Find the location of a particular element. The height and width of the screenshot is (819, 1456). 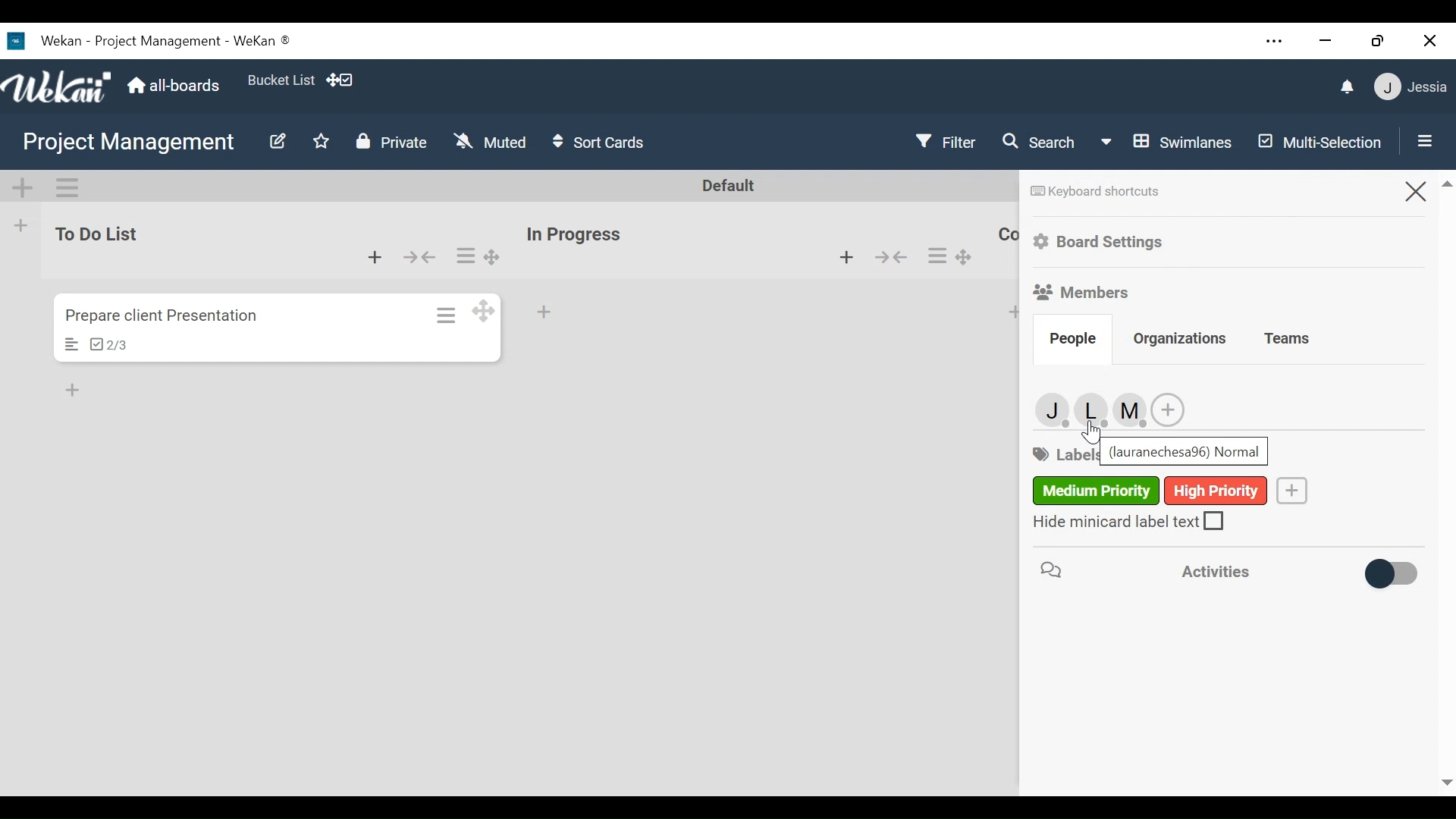

settings and more is located at coordinates (1276, 42).